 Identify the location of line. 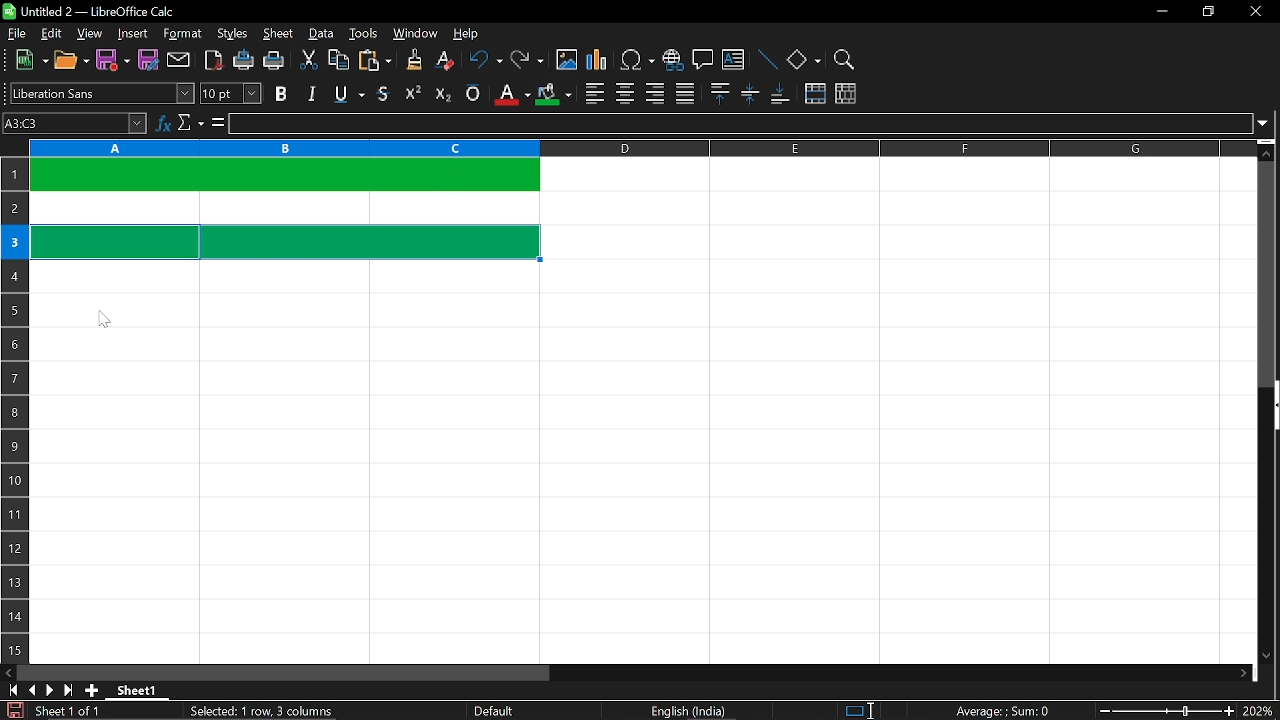
(767, 59).